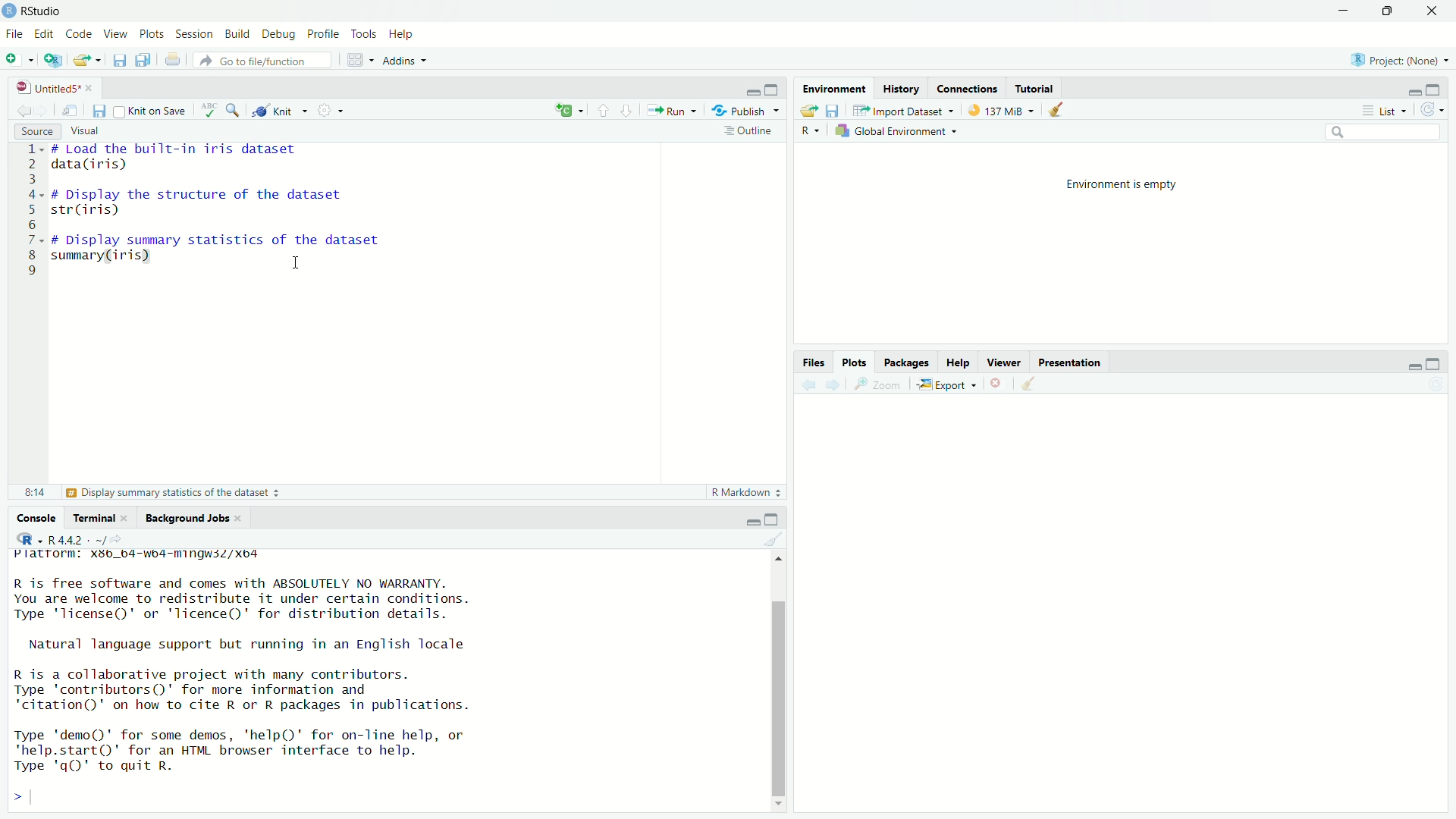 The height and width of the screenshot is (819, 1456). What do you see at coordinates (628, 111) in the screenshot?
I see `Go to next section` at bounding box center [628, 111].